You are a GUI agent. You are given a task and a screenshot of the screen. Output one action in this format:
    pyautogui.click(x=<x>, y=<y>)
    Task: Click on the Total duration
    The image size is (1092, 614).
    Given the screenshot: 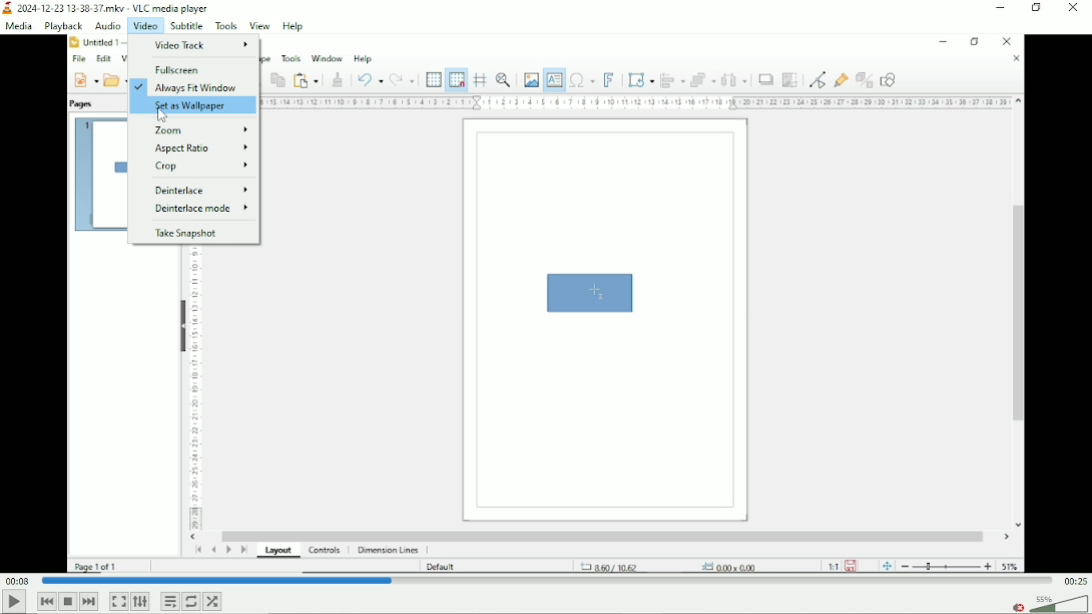 What is the action you would take?
    pyautogui.click(x=1076, y=581)
    